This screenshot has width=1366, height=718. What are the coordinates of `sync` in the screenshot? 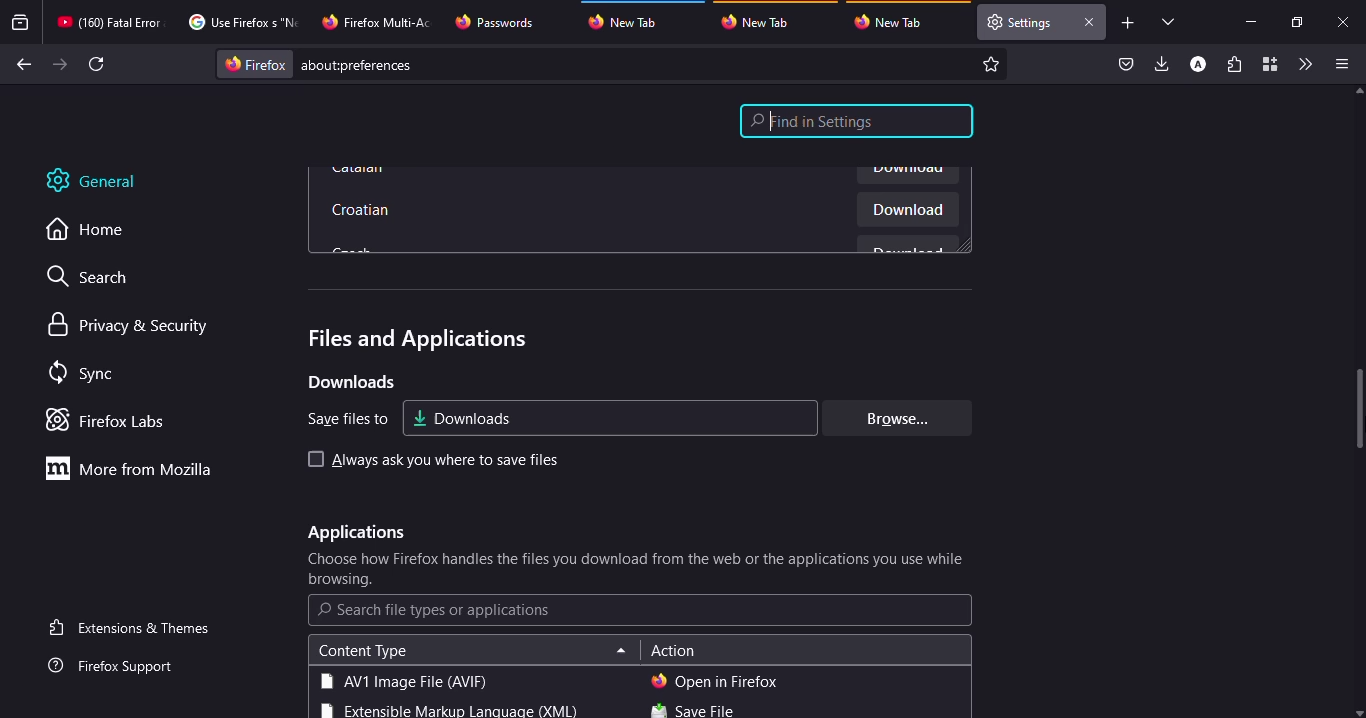 It's located at (85, 374).